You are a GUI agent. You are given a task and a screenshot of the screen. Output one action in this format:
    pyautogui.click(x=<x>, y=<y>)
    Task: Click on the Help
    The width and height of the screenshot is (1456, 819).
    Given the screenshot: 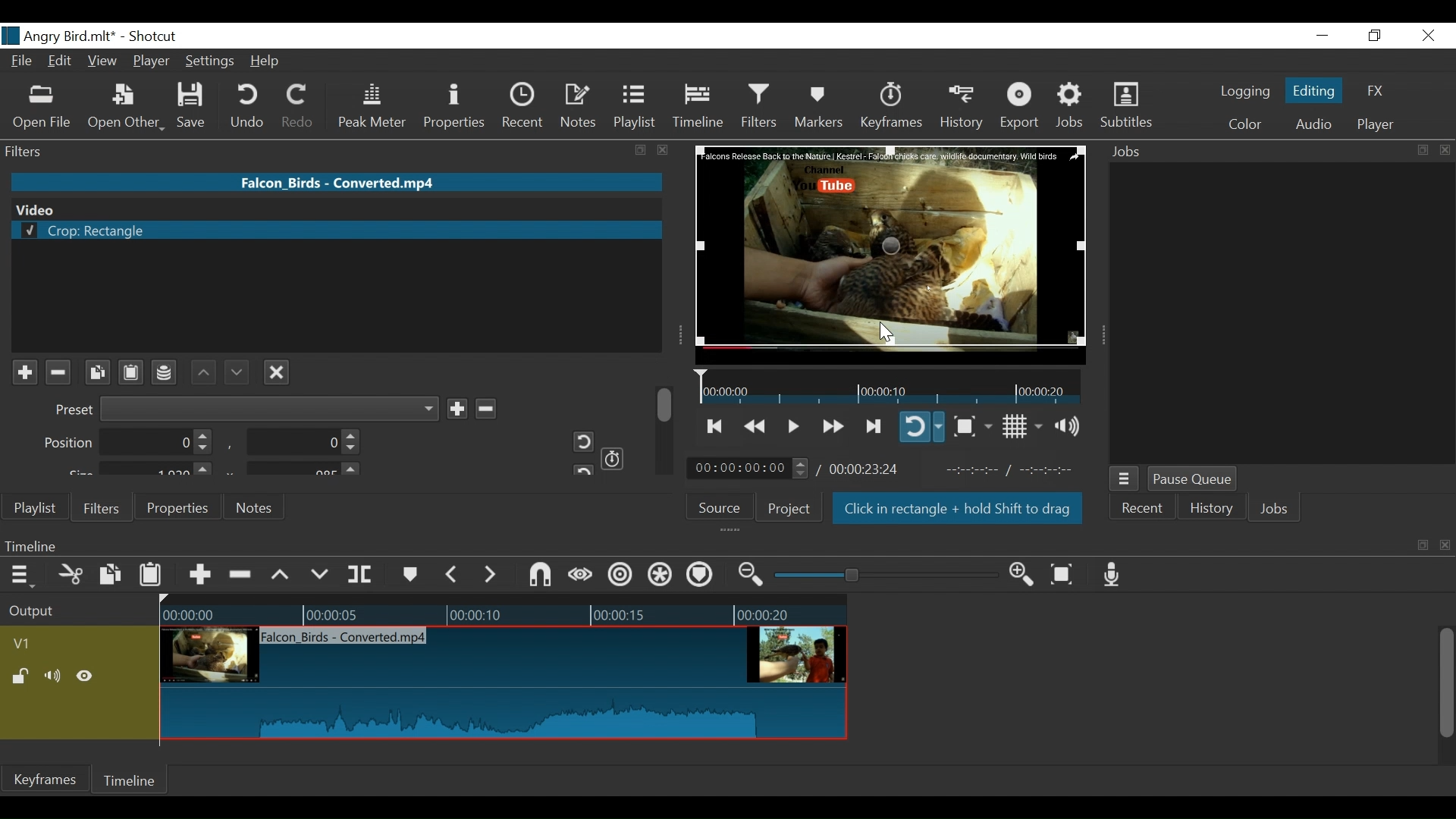 What is the action you would take?
    pyautogui.click(x=270, y=61)
    